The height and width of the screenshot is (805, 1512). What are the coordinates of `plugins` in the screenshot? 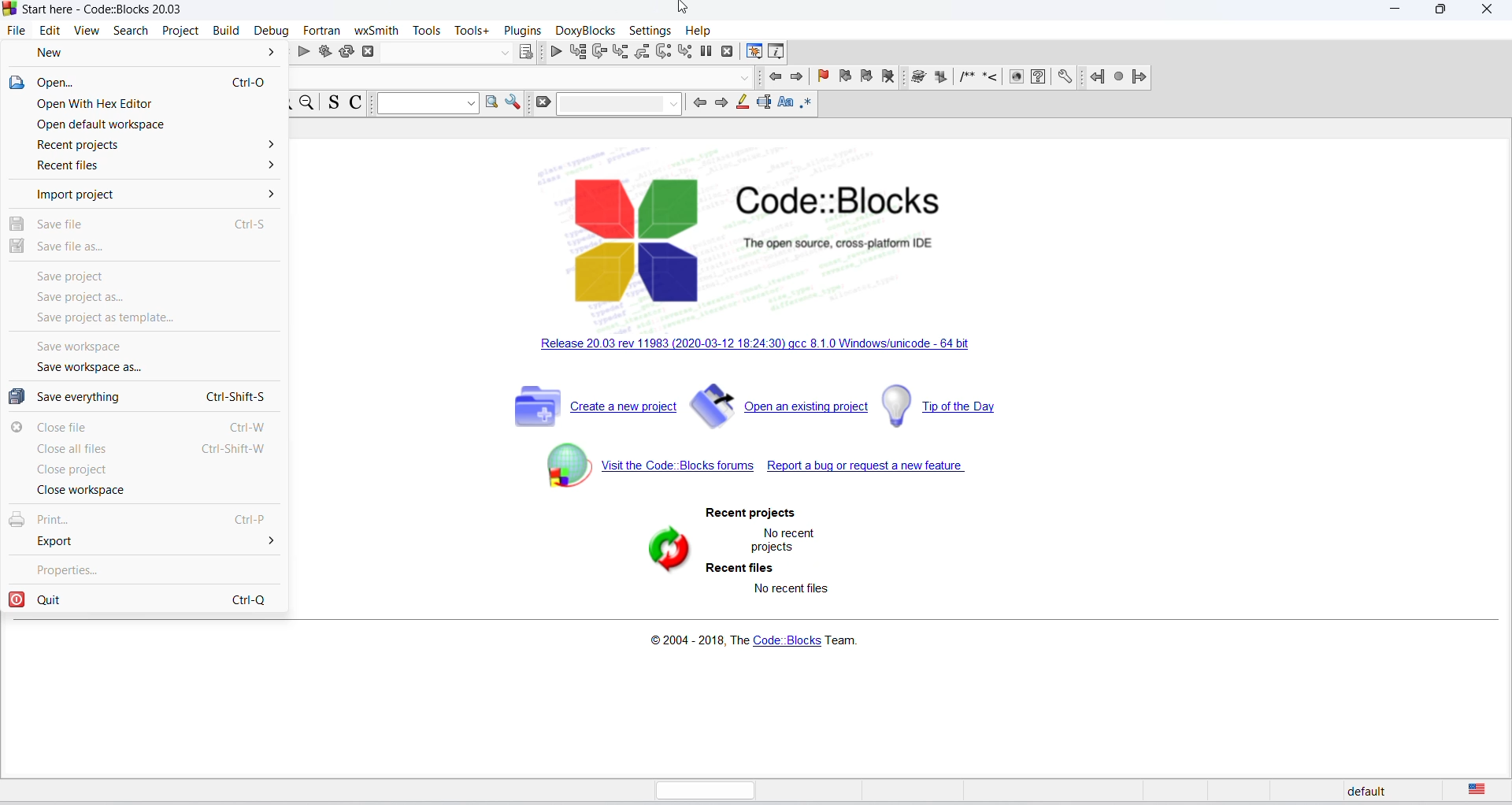 It's located at (519, 28).